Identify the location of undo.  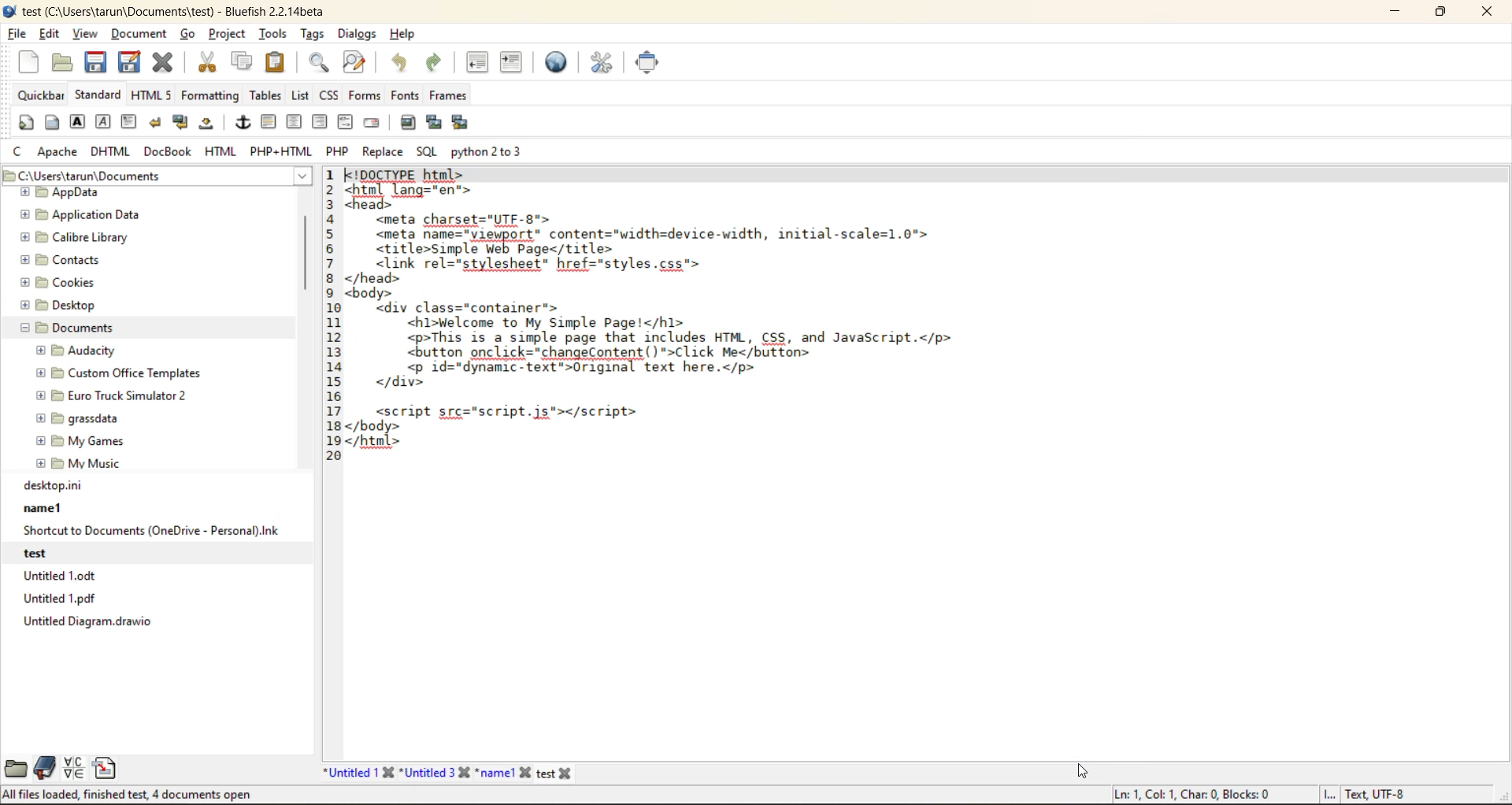
(398, 62).